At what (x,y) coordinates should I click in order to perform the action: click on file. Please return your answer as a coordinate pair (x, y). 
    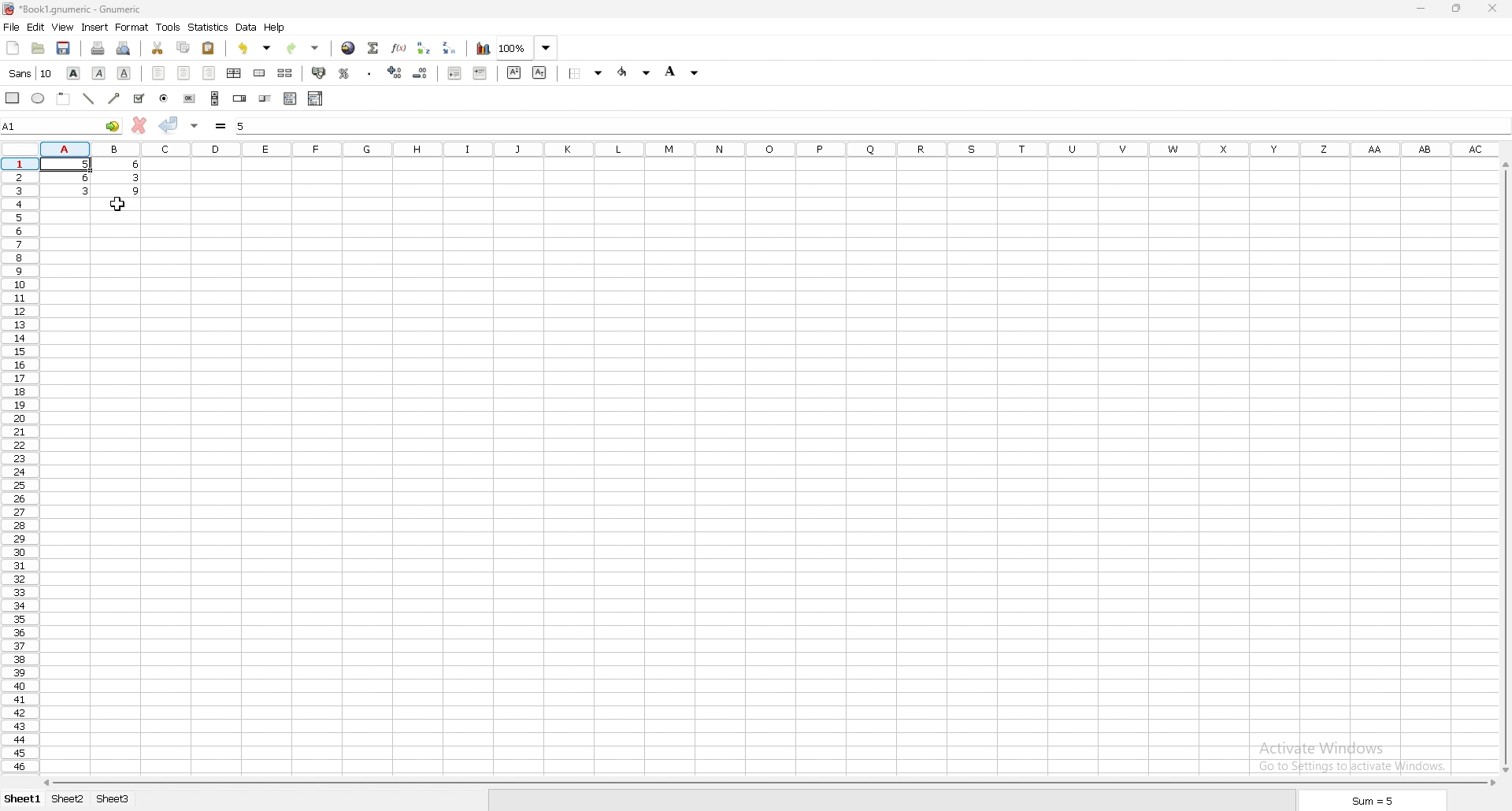
    Looking at the image, I should click on (12, 27).